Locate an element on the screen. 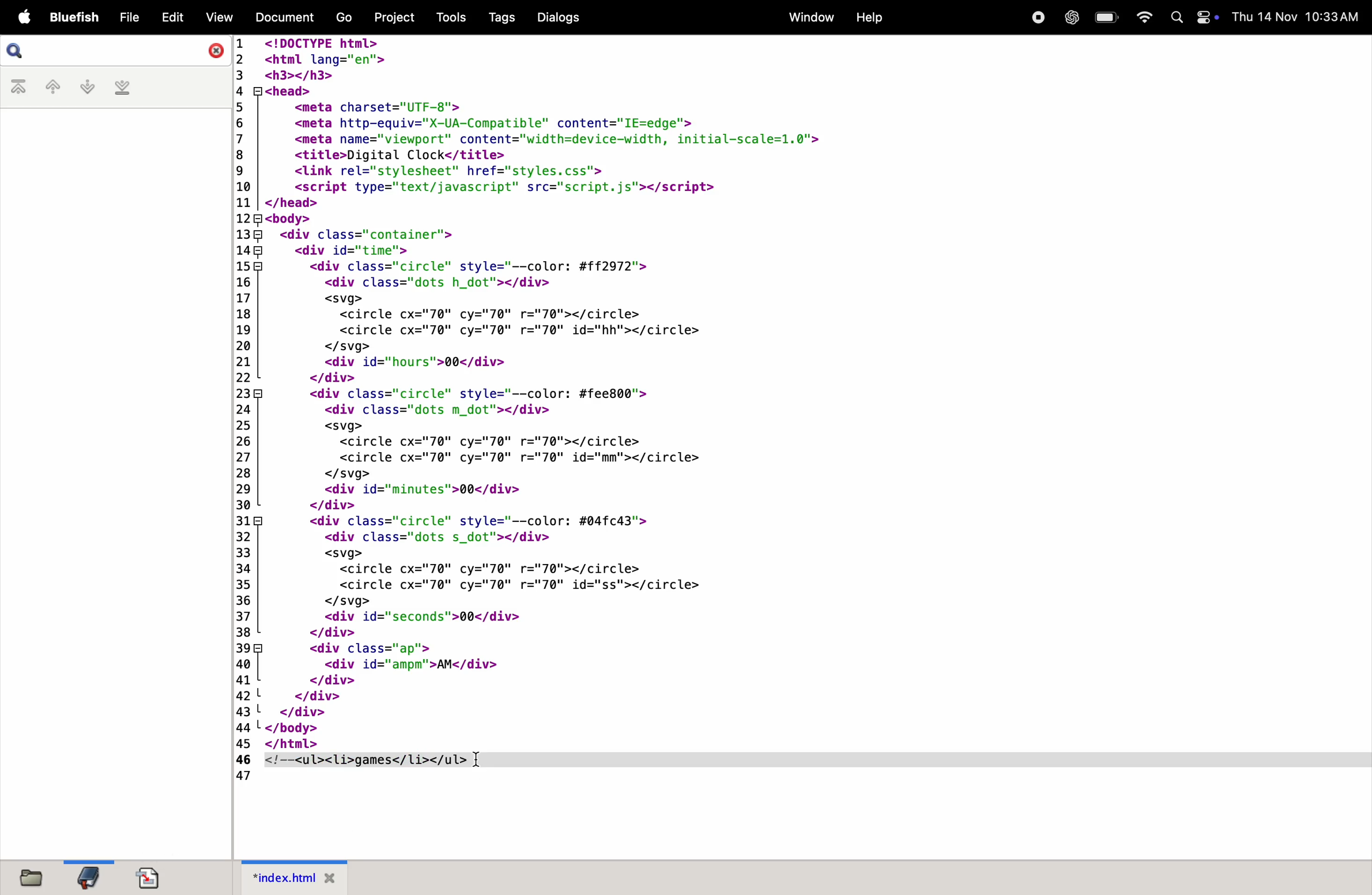 Image resolution: width=1372 pixels, height=895 pixels. Go is located at coordinates (344, 17).